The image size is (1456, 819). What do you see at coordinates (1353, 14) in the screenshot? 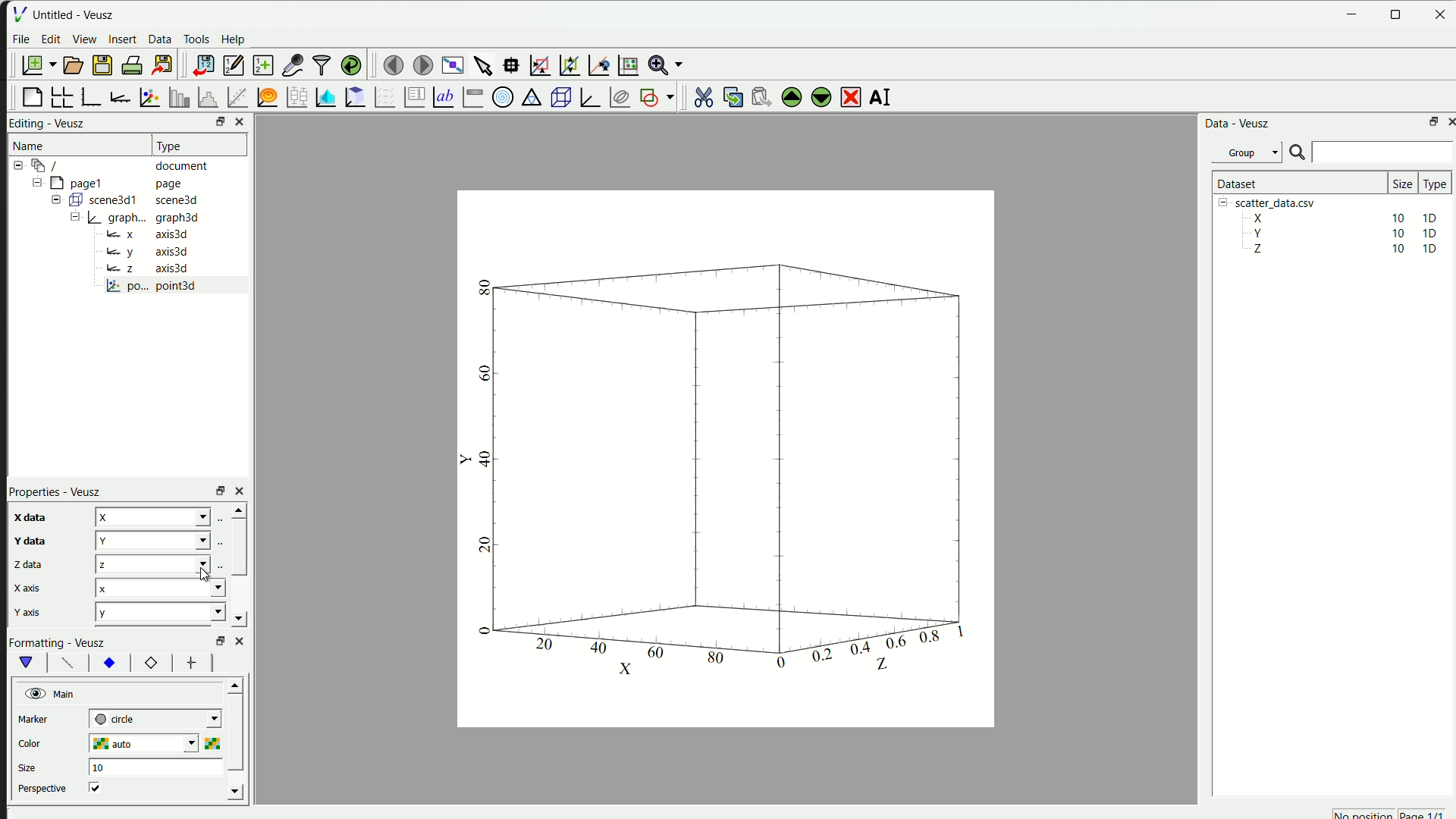
I see `Minimize` at bounding box center [1353, 14].